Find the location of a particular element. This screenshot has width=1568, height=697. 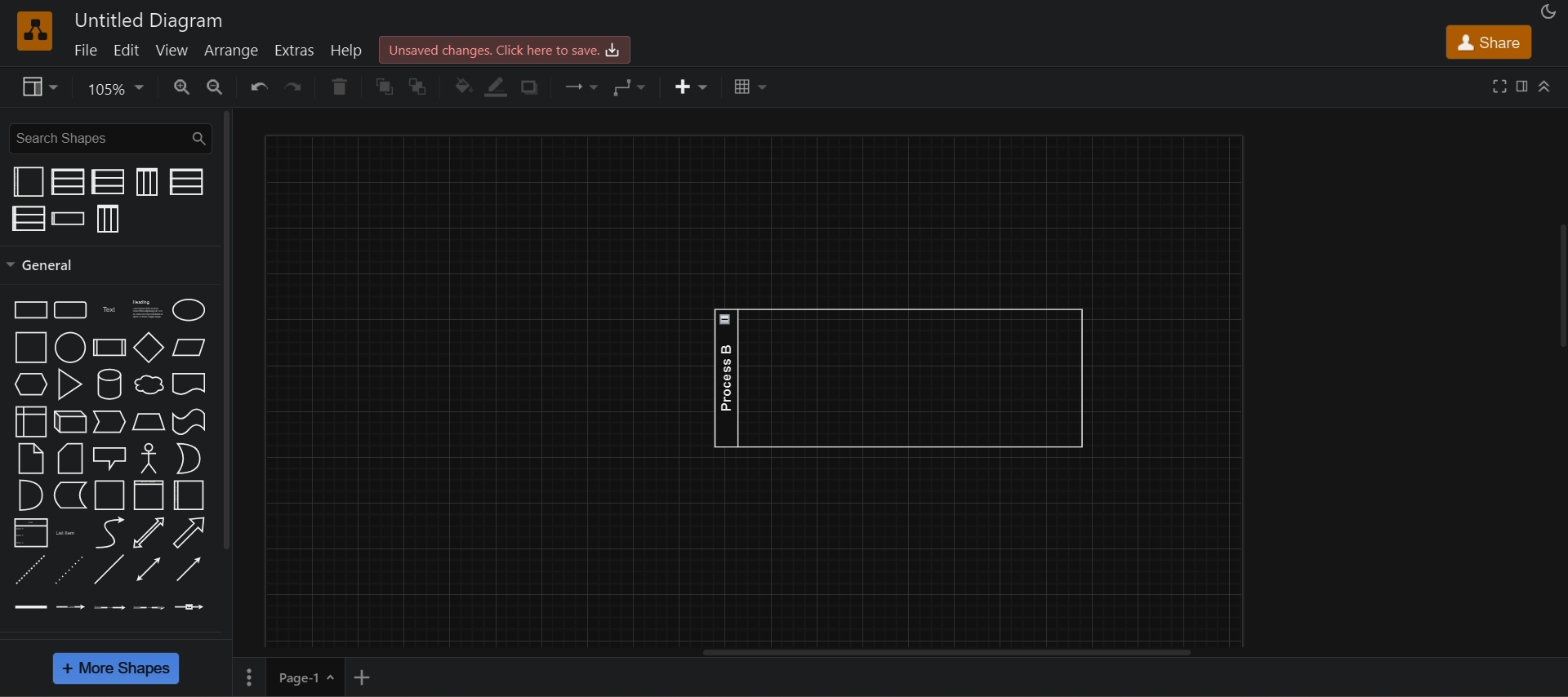

waypoints is located at coordinates (632, 87).